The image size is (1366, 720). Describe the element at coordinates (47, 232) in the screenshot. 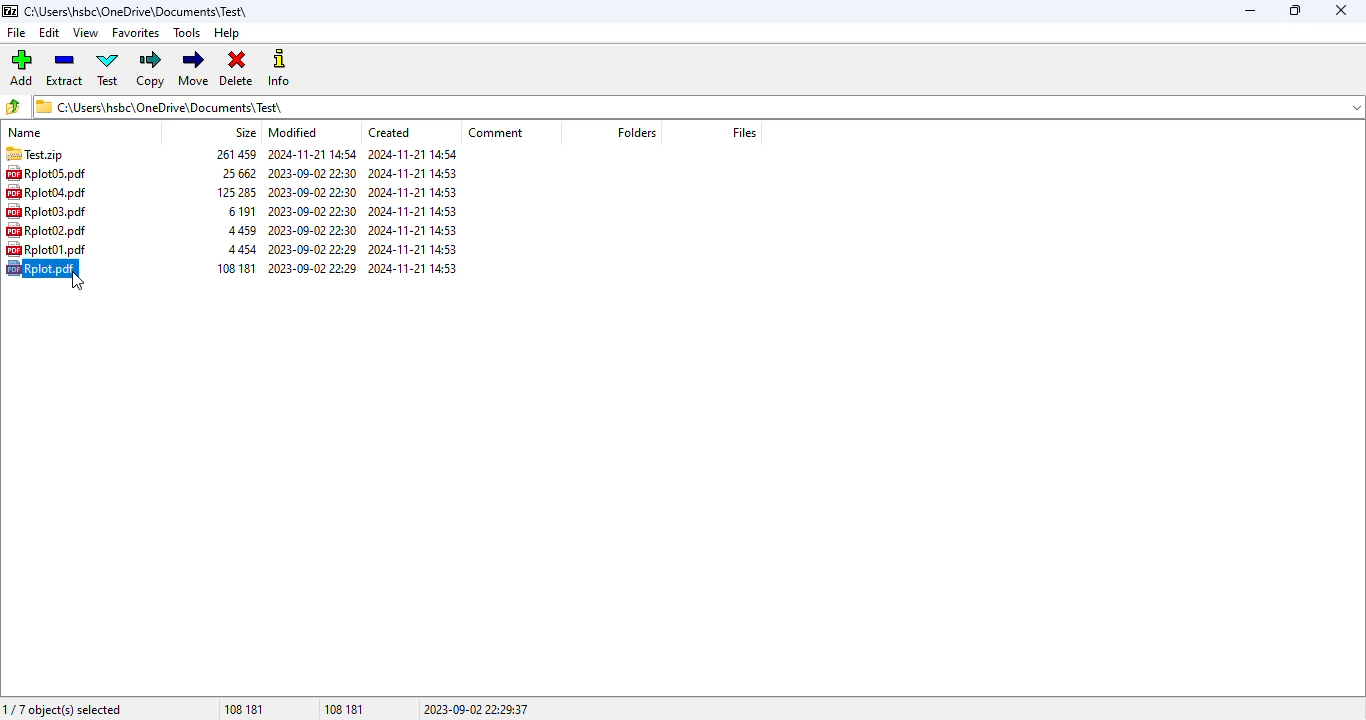

I see ` Rplot02.pdf` at that location.